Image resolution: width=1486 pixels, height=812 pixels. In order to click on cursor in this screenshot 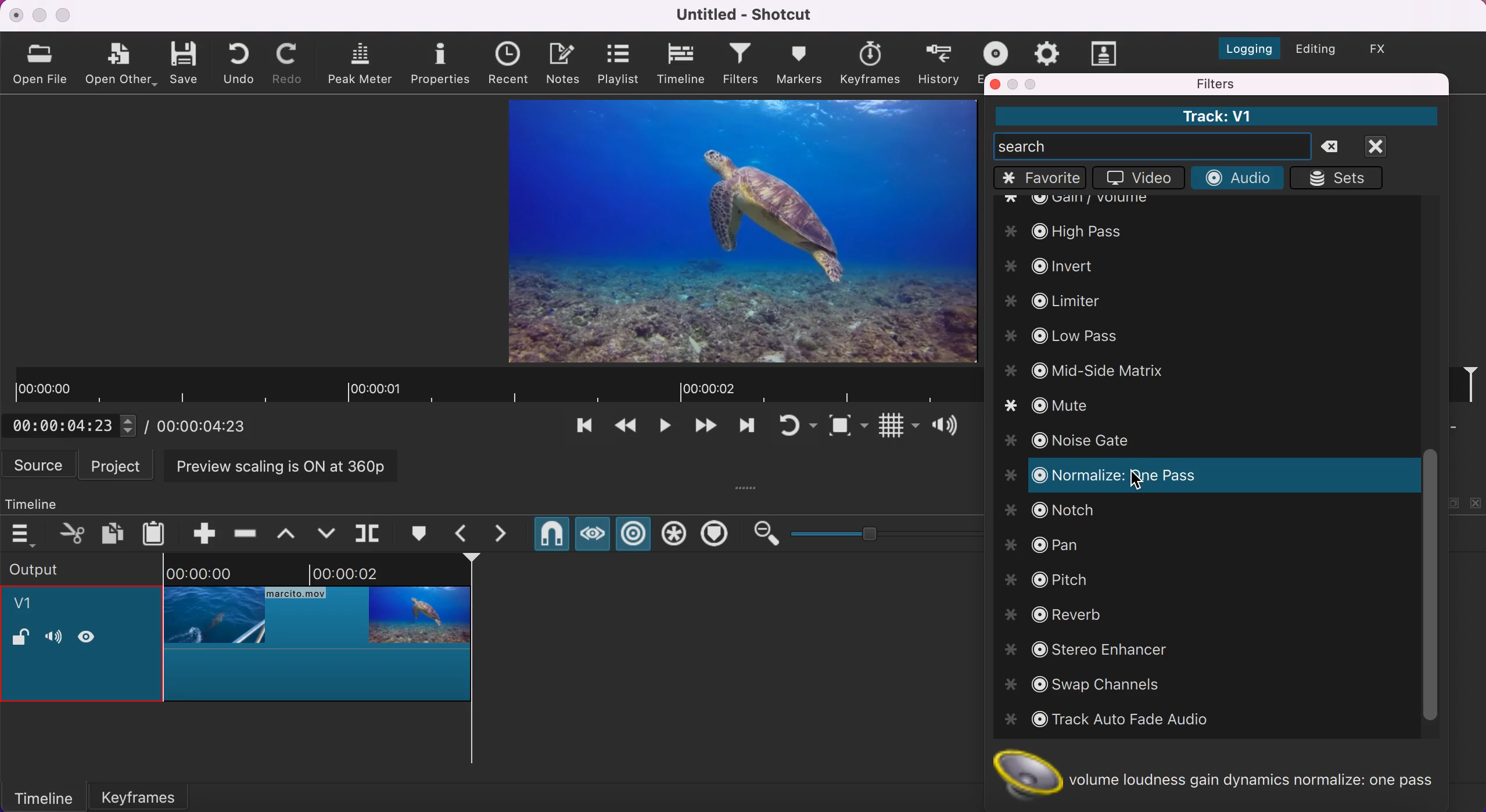, I will do `click(1133, 480)`.